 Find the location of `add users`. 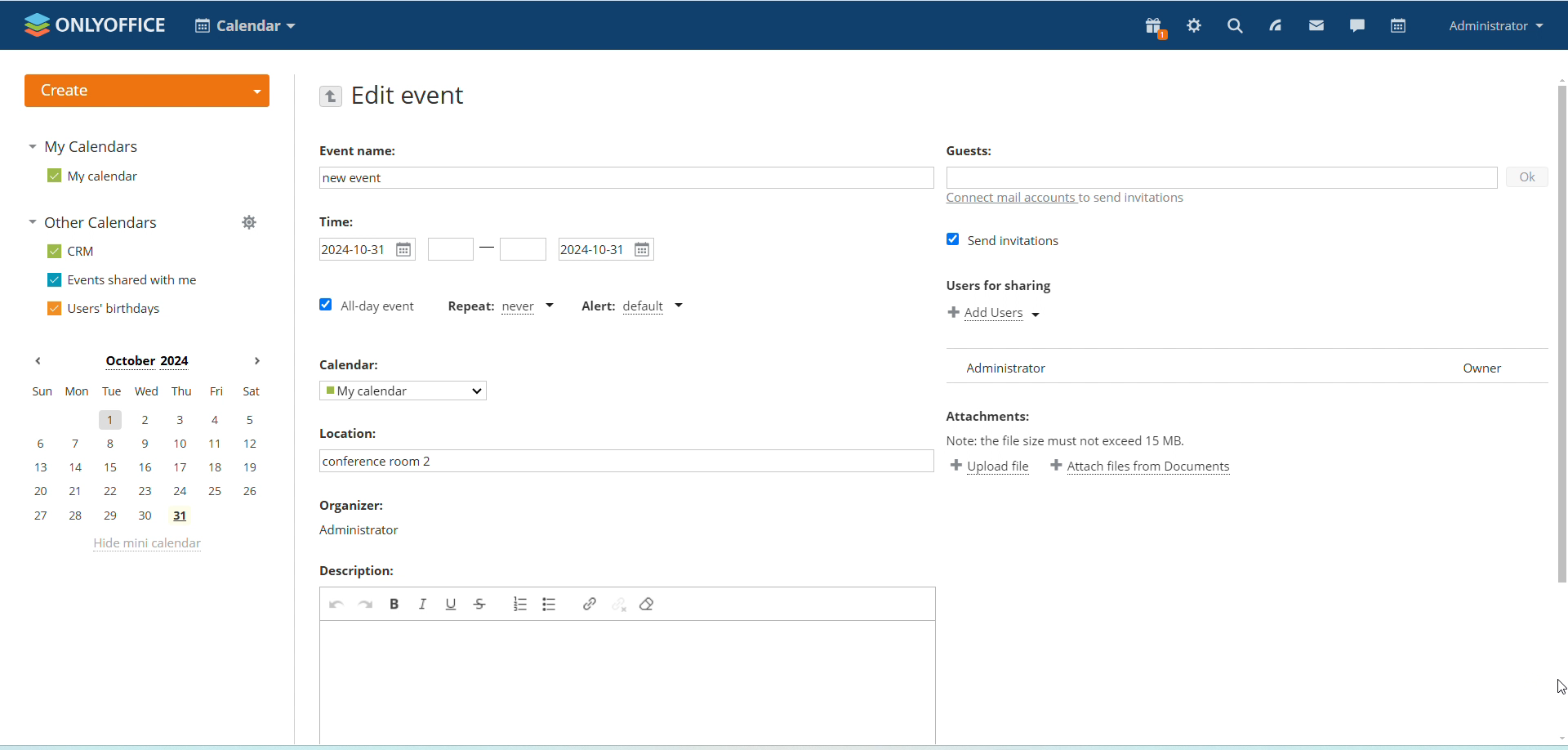

add users is located at coordinates (1000, 315).